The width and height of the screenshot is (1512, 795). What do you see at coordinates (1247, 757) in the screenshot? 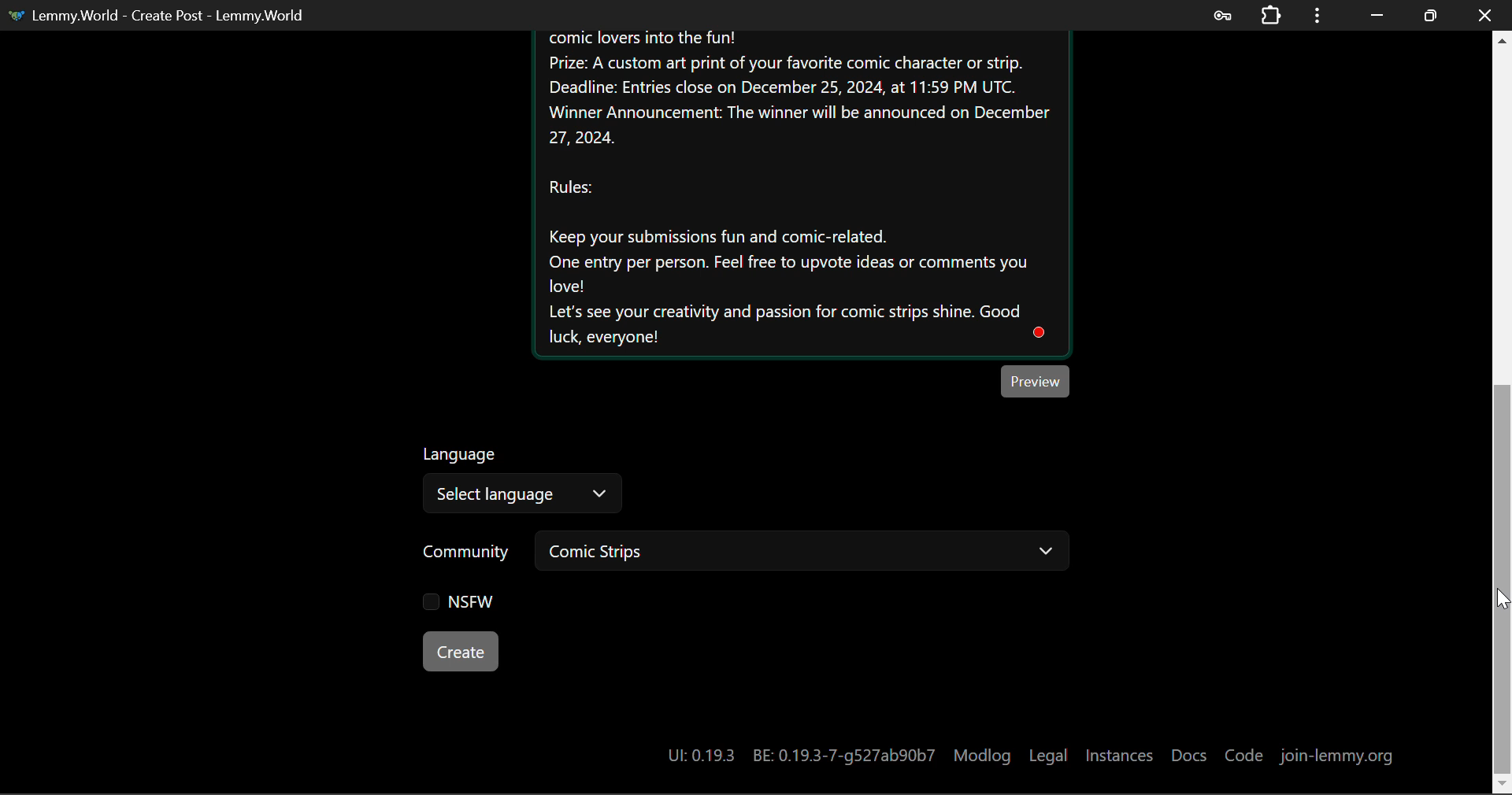
I see `Code` at bounding box center [1247, 757].